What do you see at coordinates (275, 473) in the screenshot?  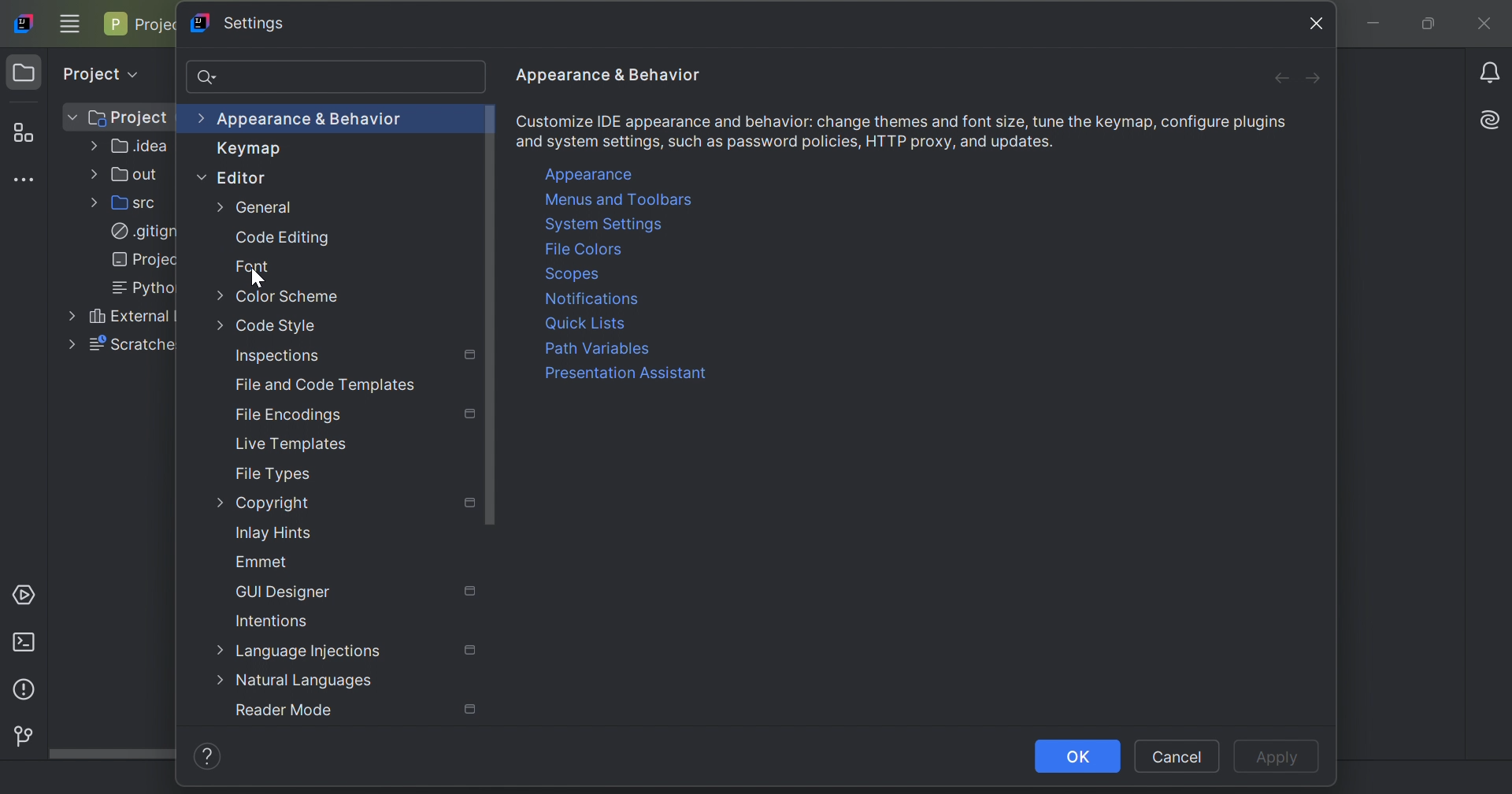 I see `File types` at bounding box center [275, 473].